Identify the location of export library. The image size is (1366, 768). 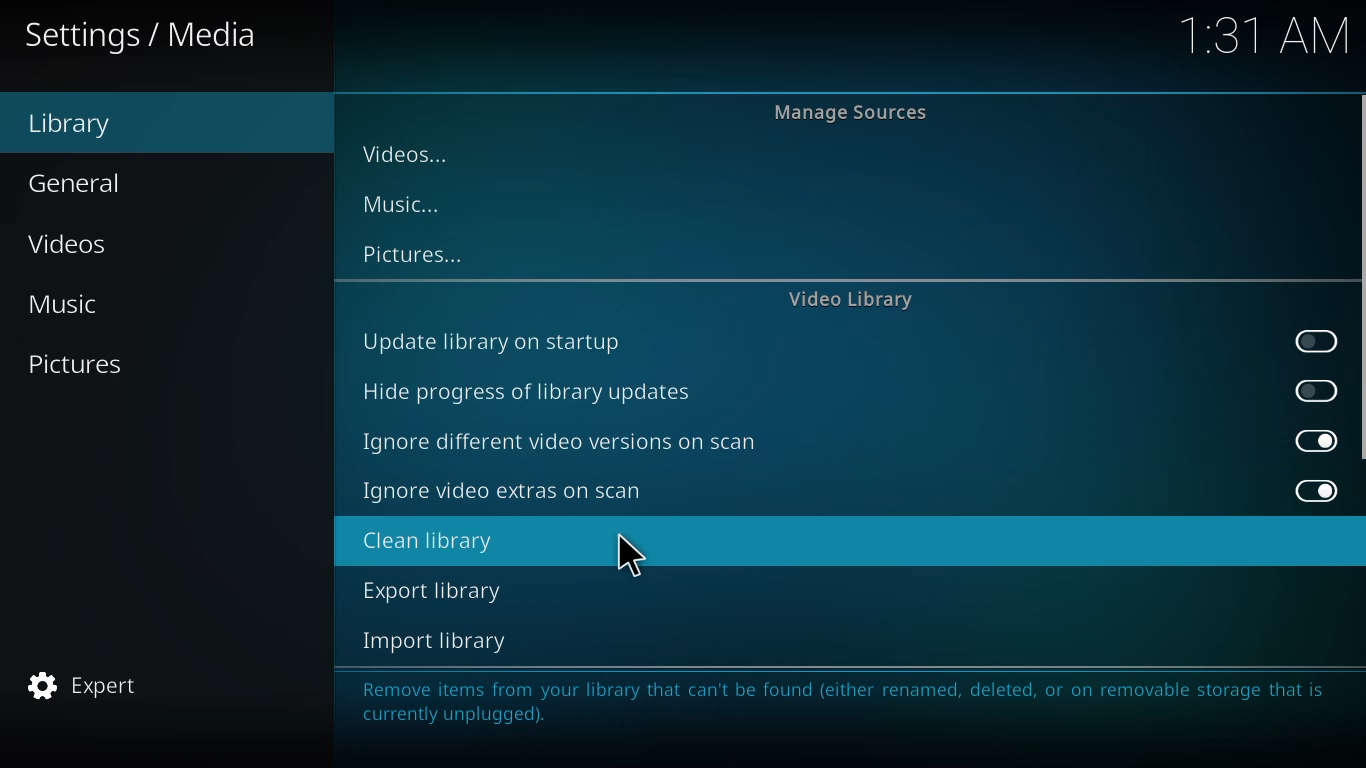
(430, 591).